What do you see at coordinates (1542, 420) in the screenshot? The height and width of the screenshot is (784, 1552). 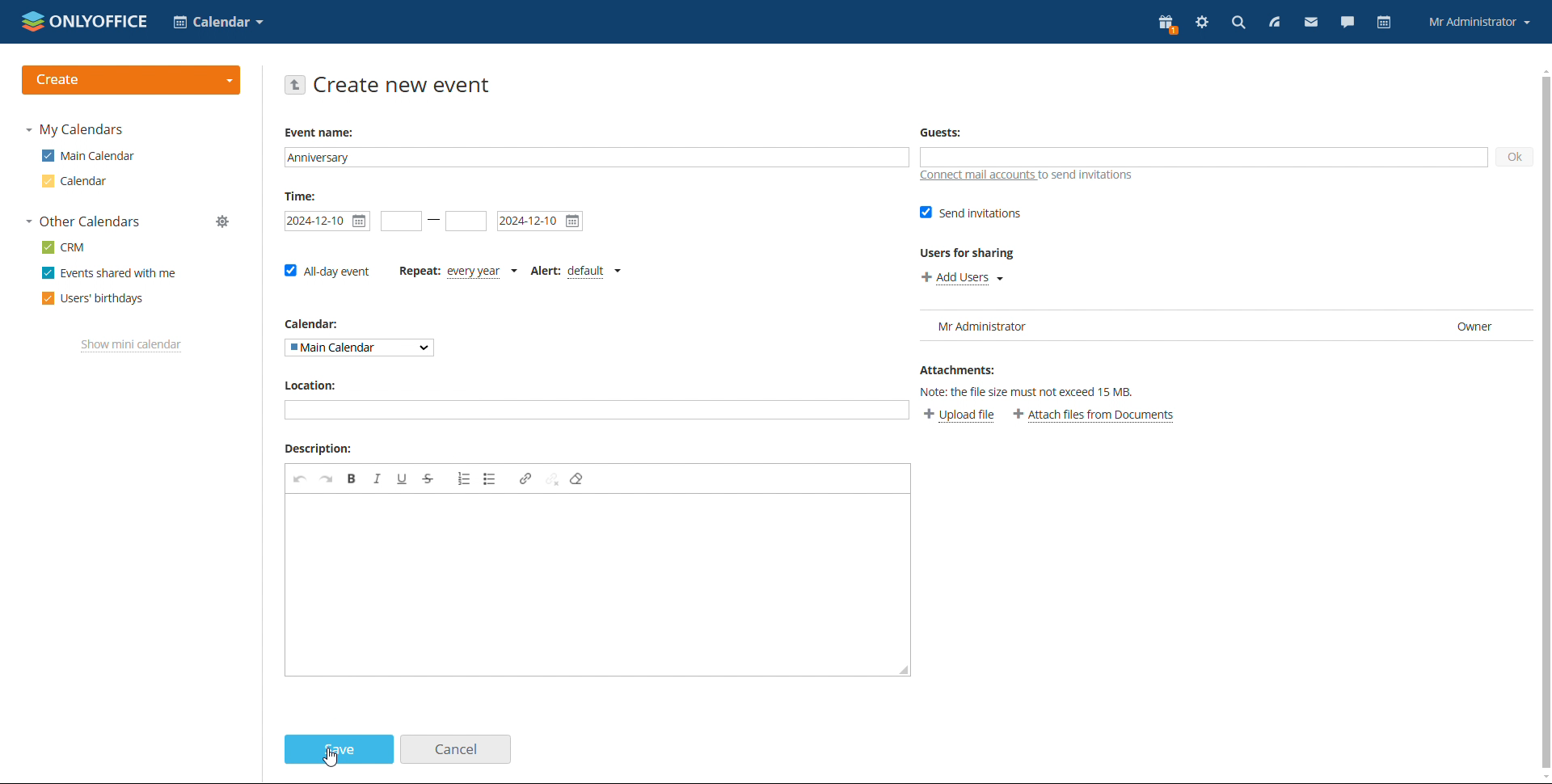 I see `vertical scroll bar` at bounding box center [1542, 420].